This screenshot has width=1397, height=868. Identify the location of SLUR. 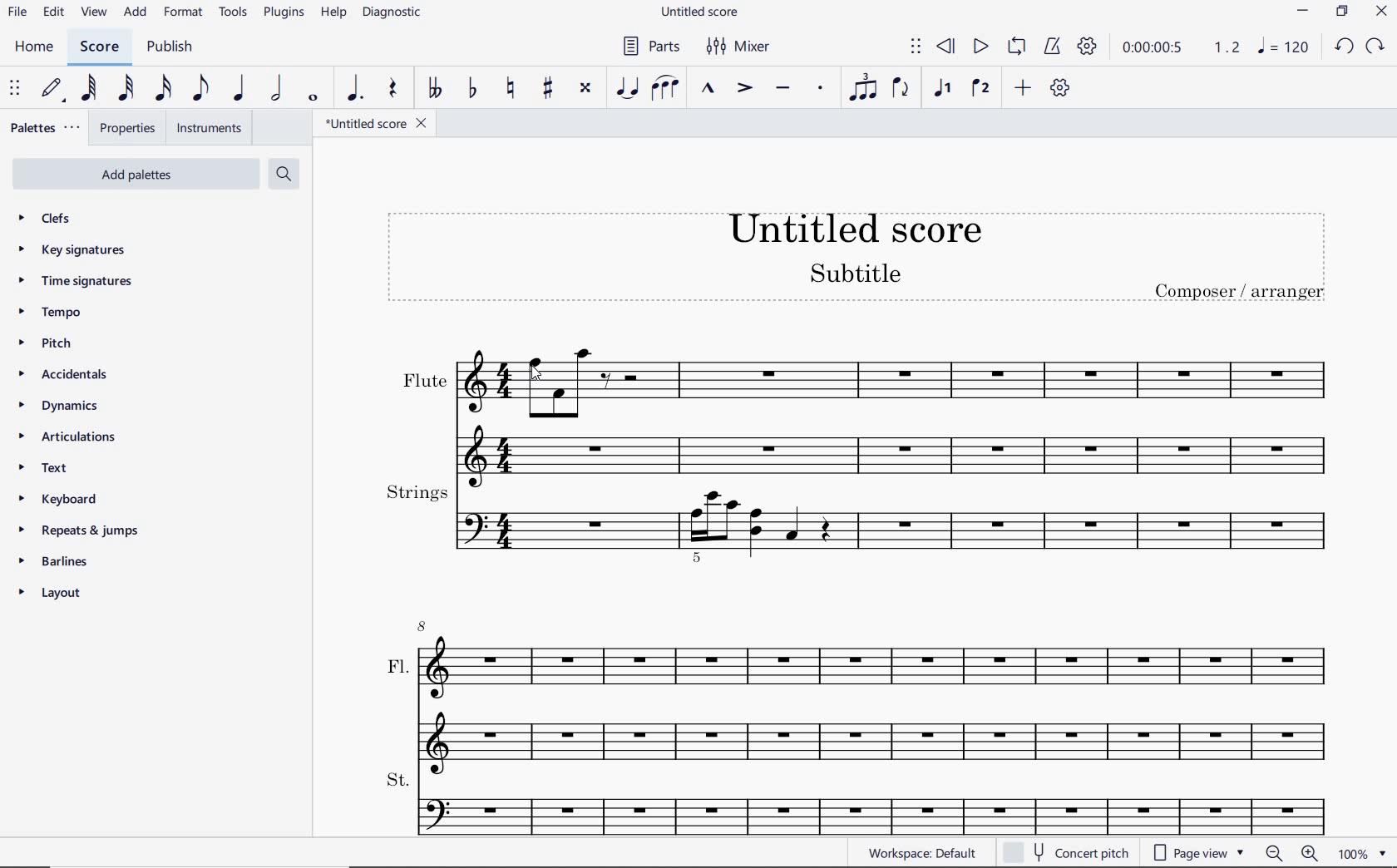
(665, 89).